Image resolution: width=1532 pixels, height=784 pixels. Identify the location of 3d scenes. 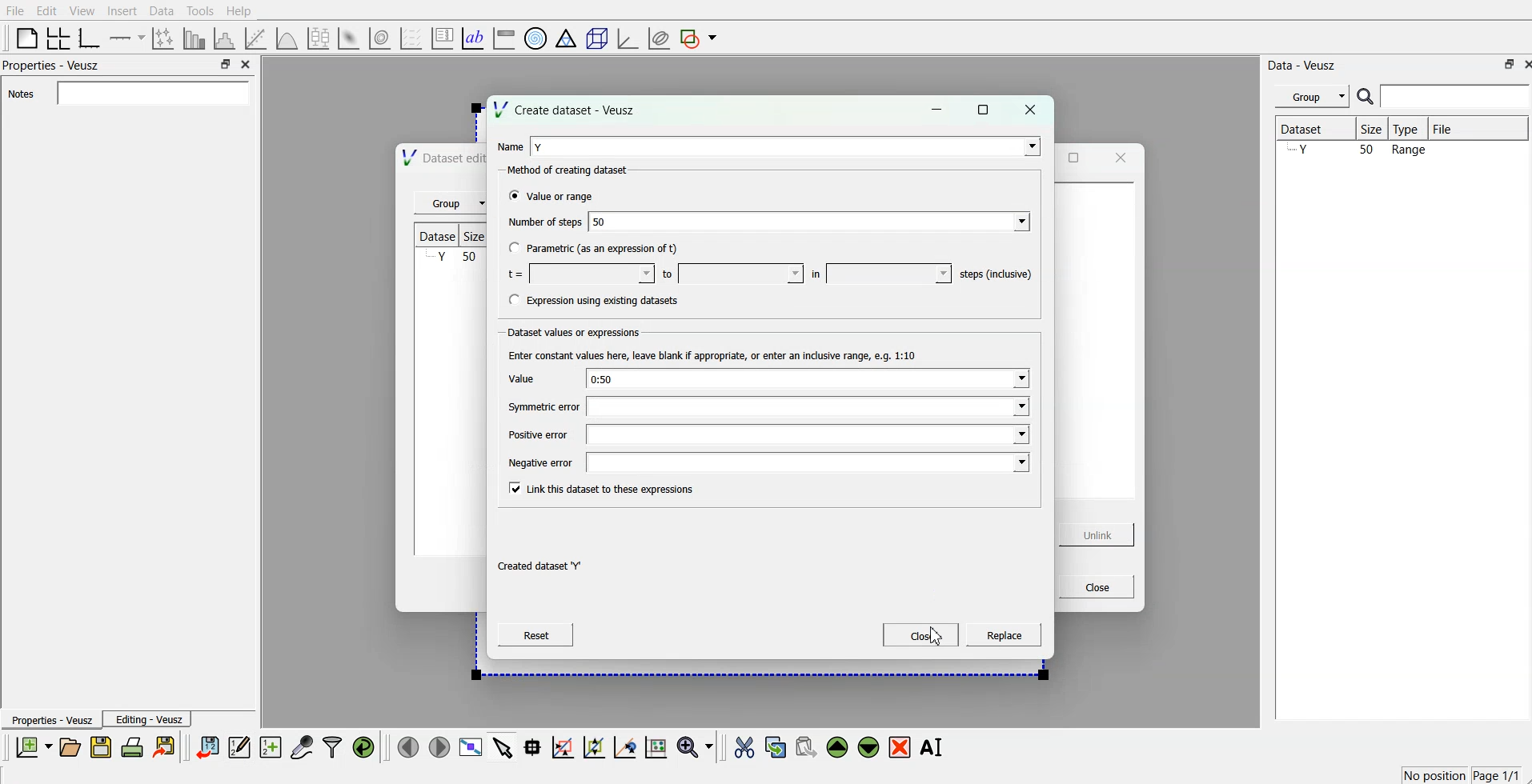
(595, 35).